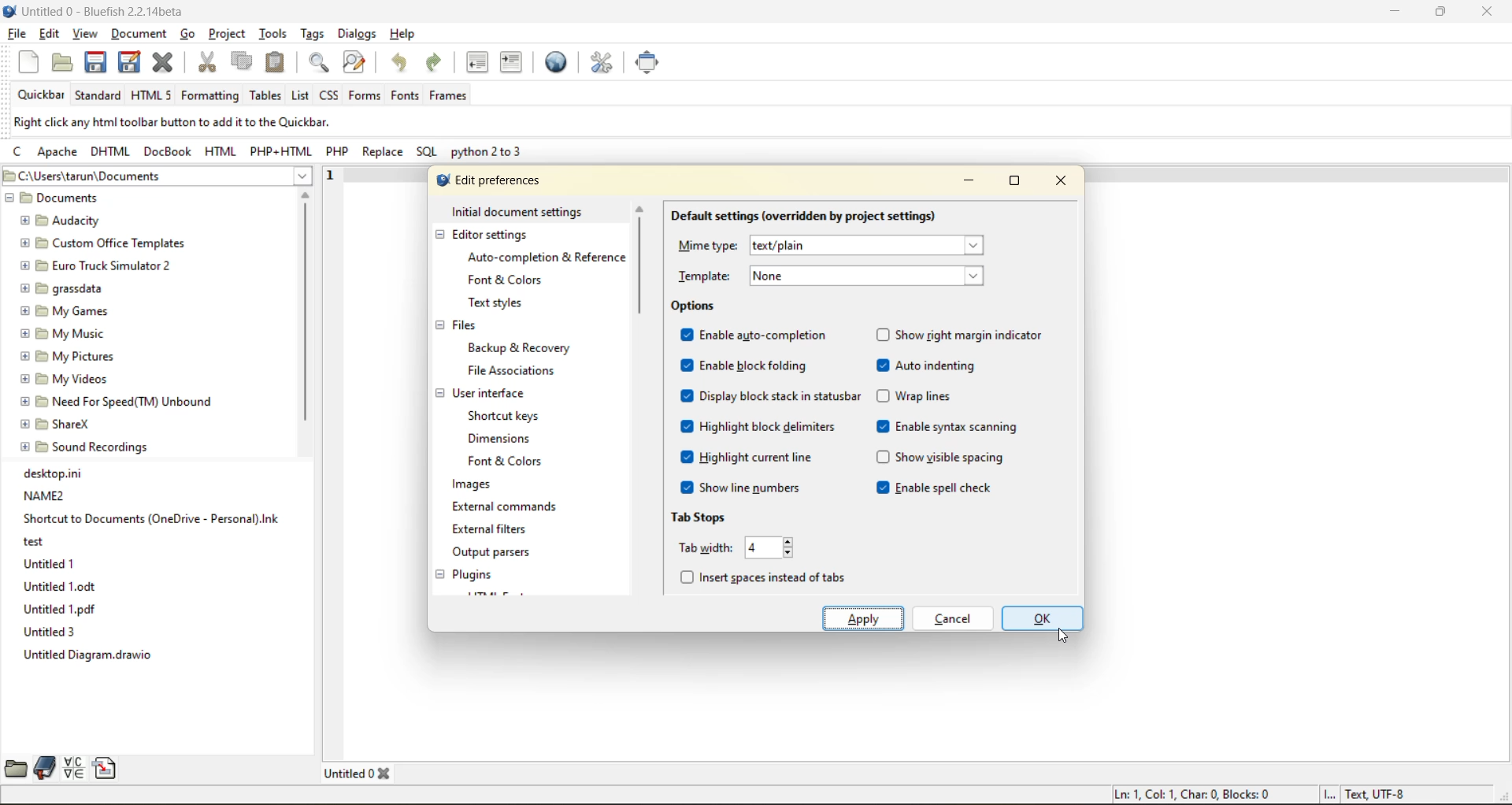 Image resolution: width=1512 pixels, height=805 pixels. Describe the element at coordinates (949, 426) in the screenshot. I see `enable syntax scanning` at that location.